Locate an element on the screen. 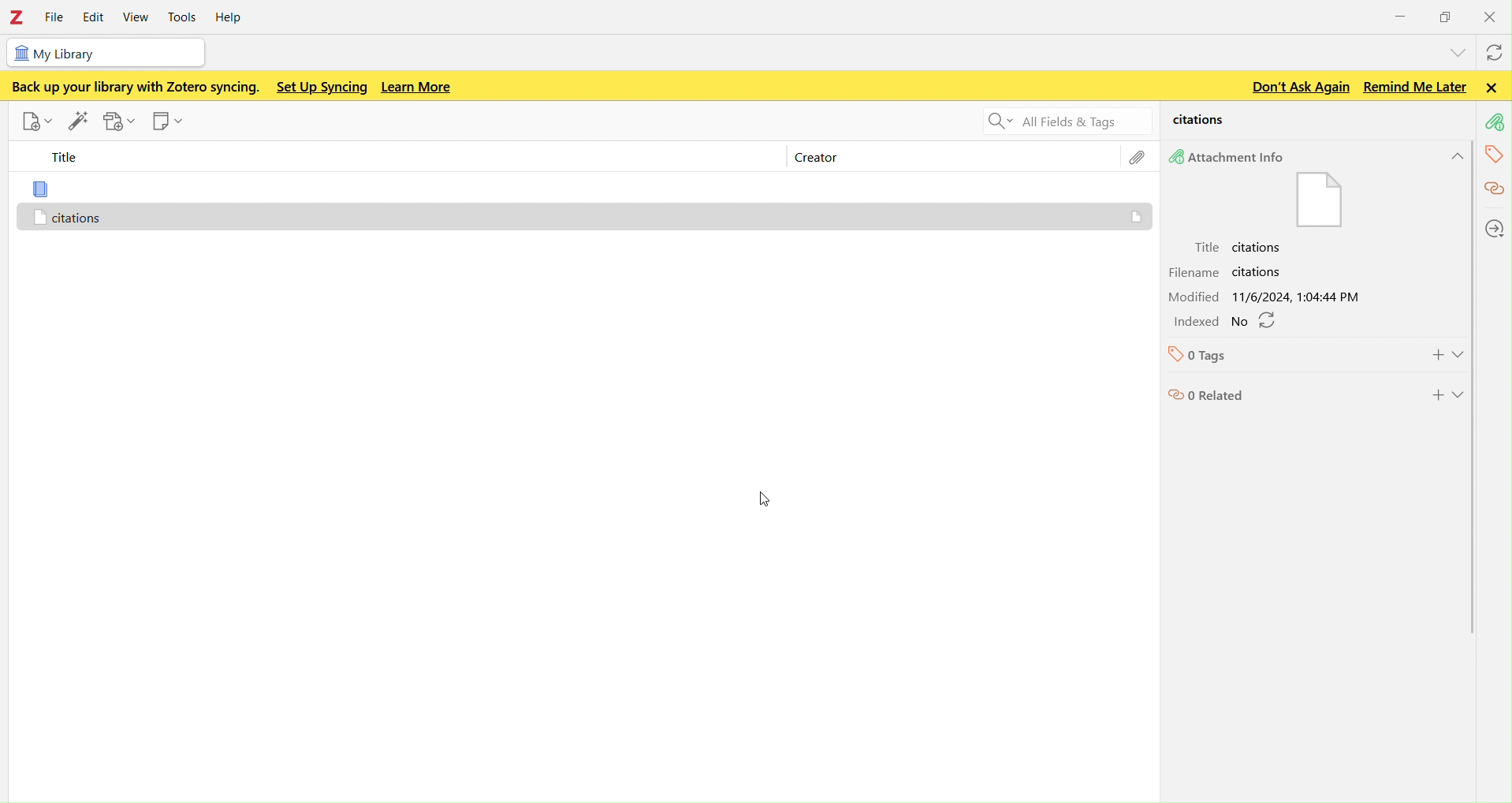 The image size is (1512, 803). Add is located at coordinates (1428, 353).